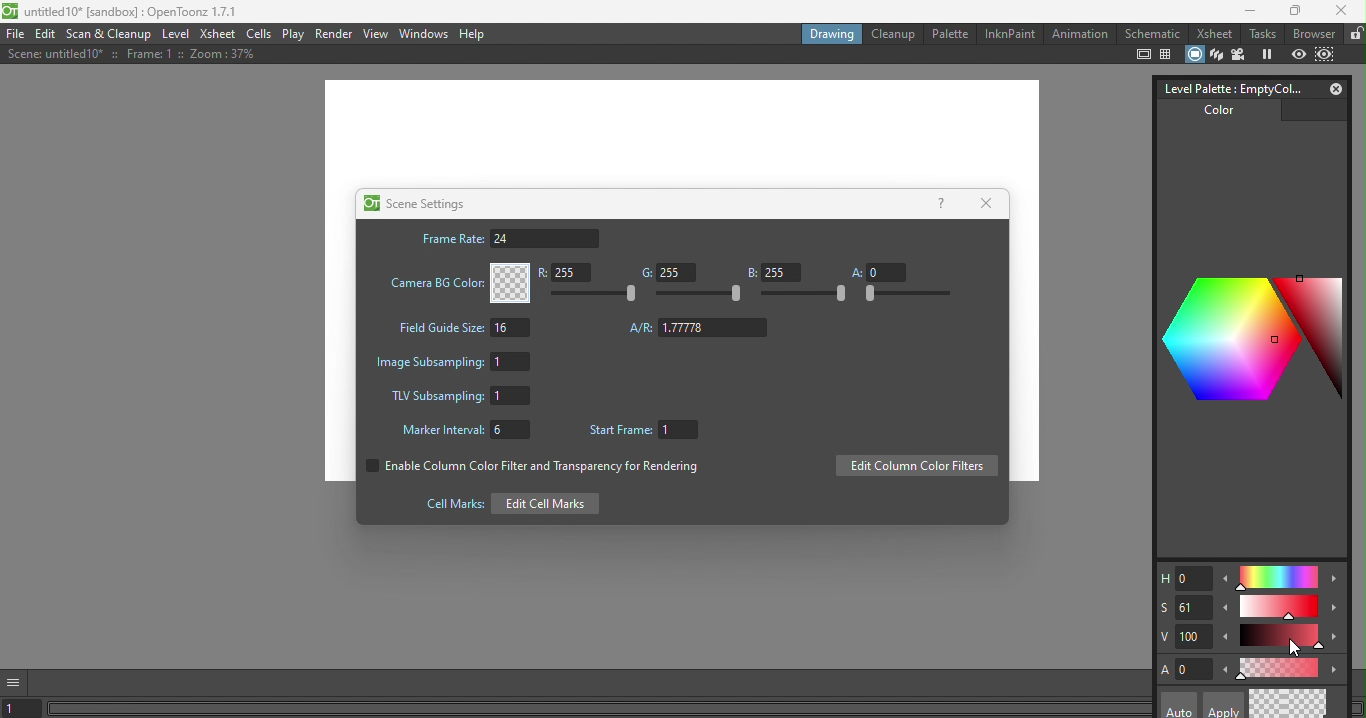 The width and height of the screenshot is (1366, 718). What do you see at coordinates (506, 503) in the screenshot?
I see `Edit cell marks` at bounding box center [506, 503].